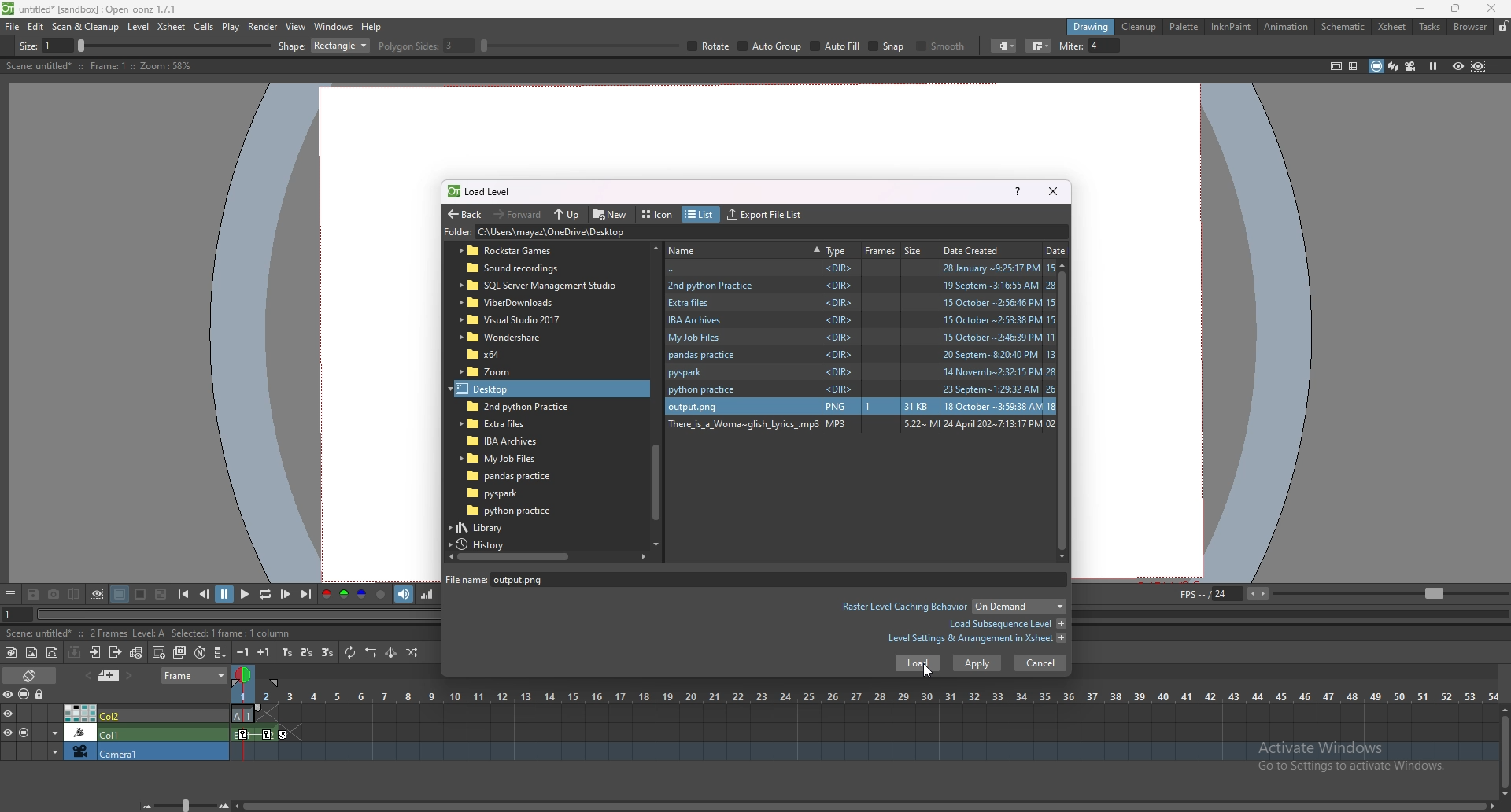 The width and height of the screenshot is (1511, 812). What do you see at coordinates (17, 615) in the screenshot?
I see `goto frame` at bounding box center [17, 615].